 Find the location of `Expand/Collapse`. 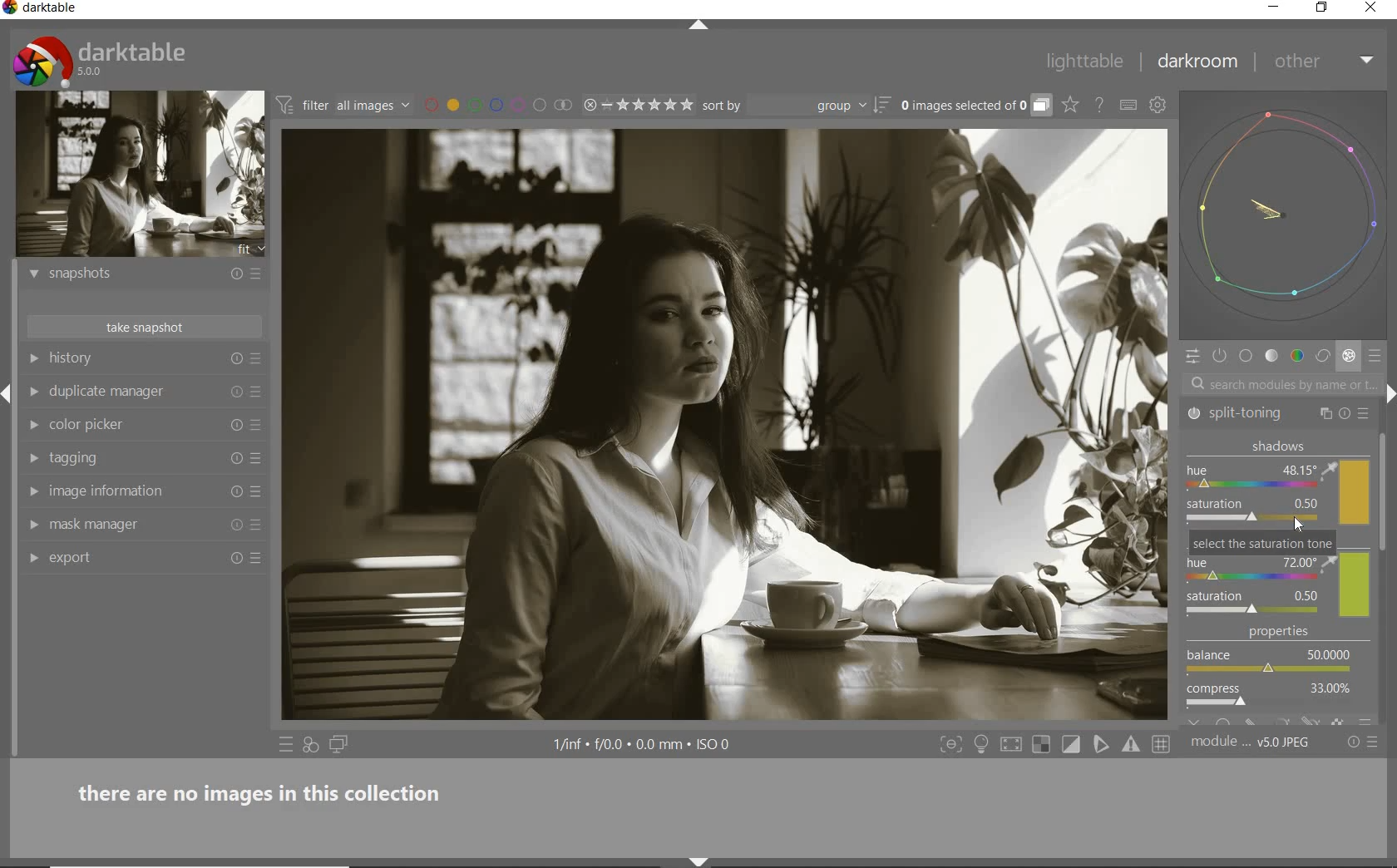

Expand/Collapse is located at coordinates (8, 389).